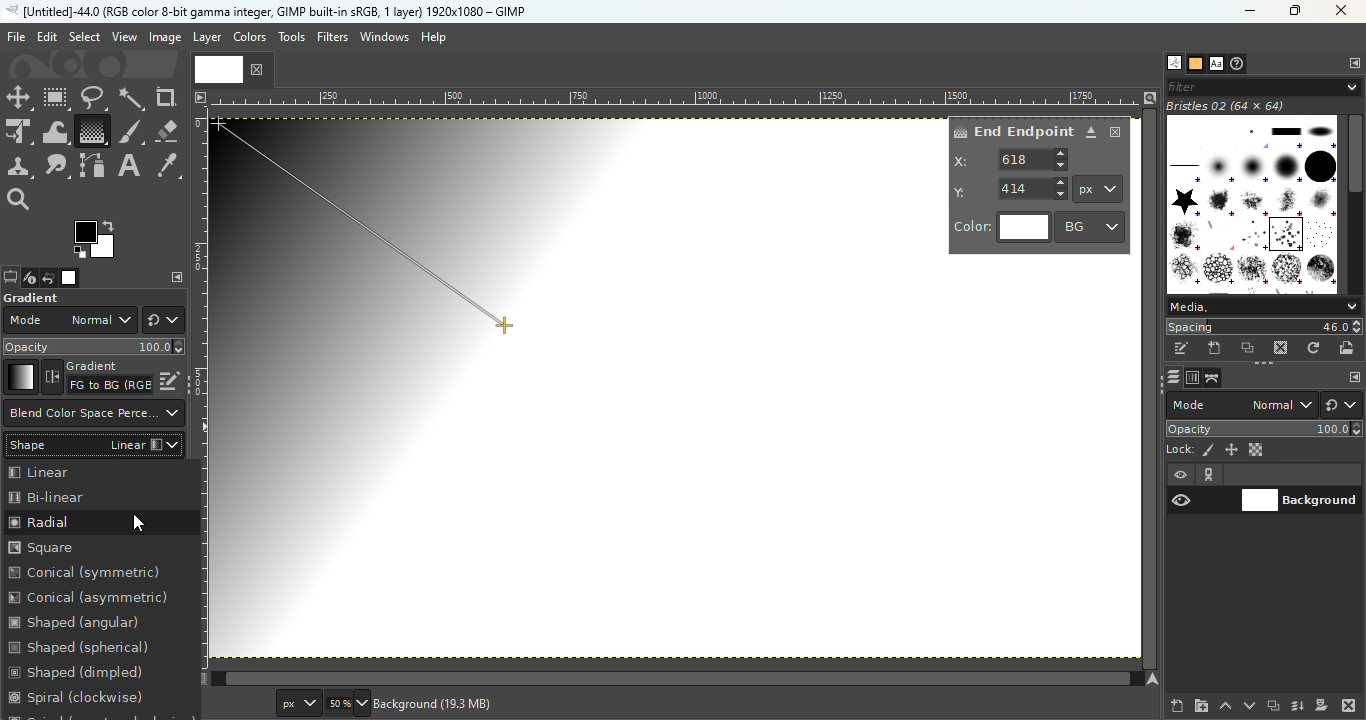 The width and height of the screenshot is (1366, 720). I want to click on Open the brushes dialog, so click(1174, 62).